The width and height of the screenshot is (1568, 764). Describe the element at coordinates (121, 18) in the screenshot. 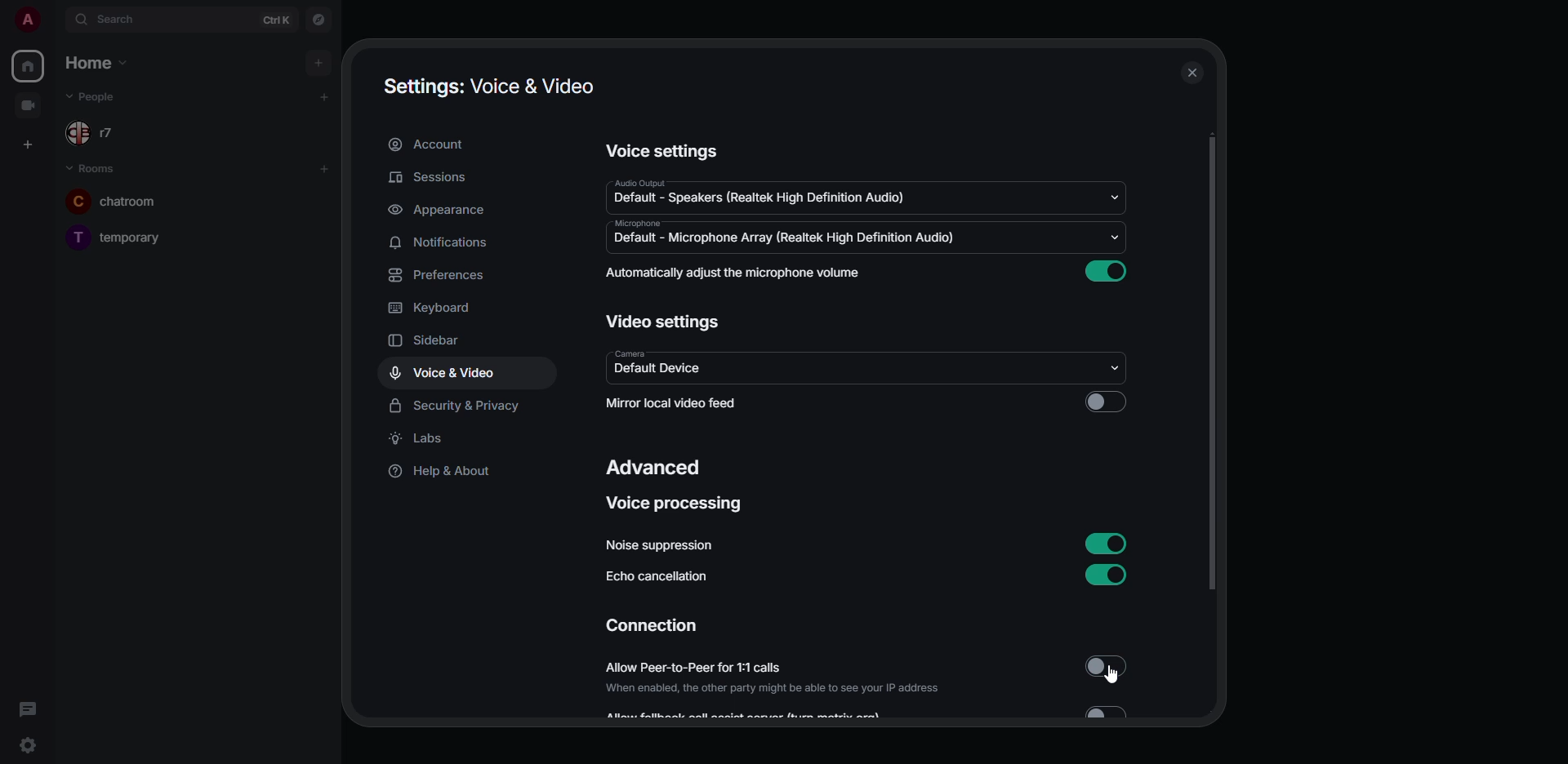

I see `search` at that location.